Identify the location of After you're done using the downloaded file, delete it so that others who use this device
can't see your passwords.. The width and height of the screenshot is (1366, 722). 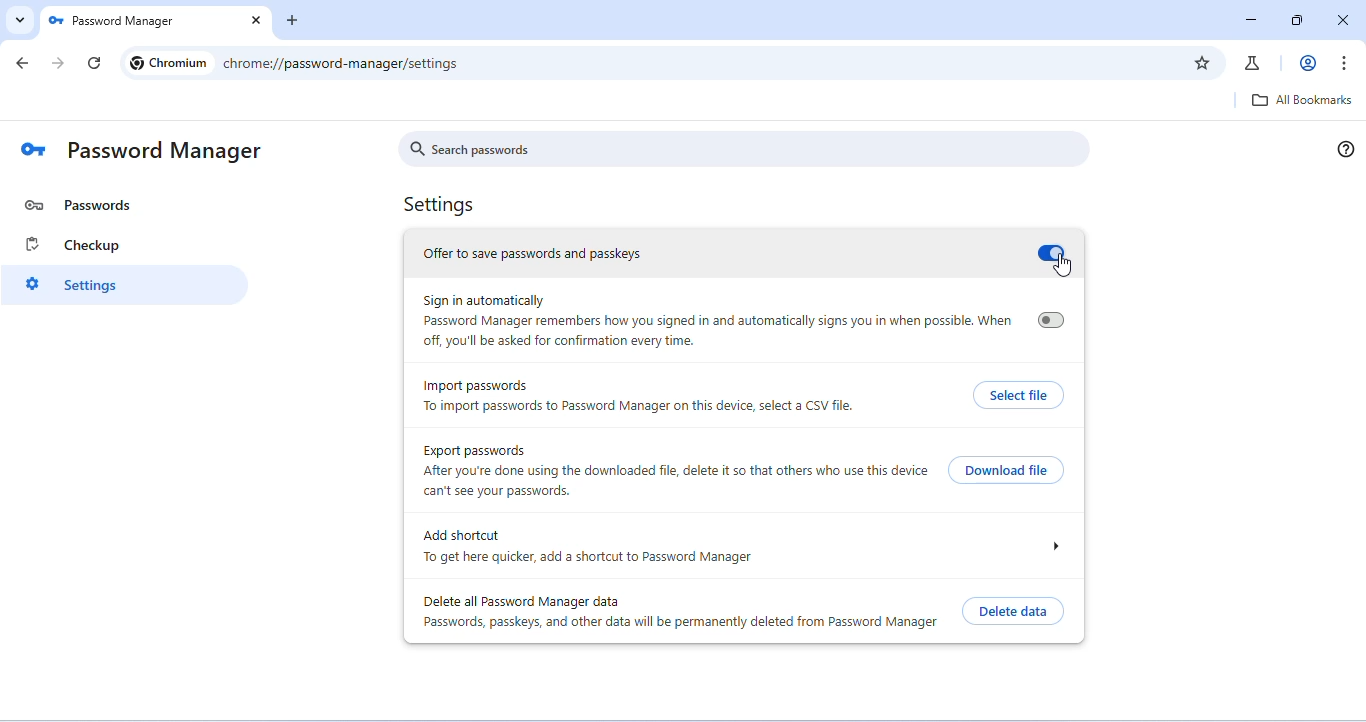
(671, 482).